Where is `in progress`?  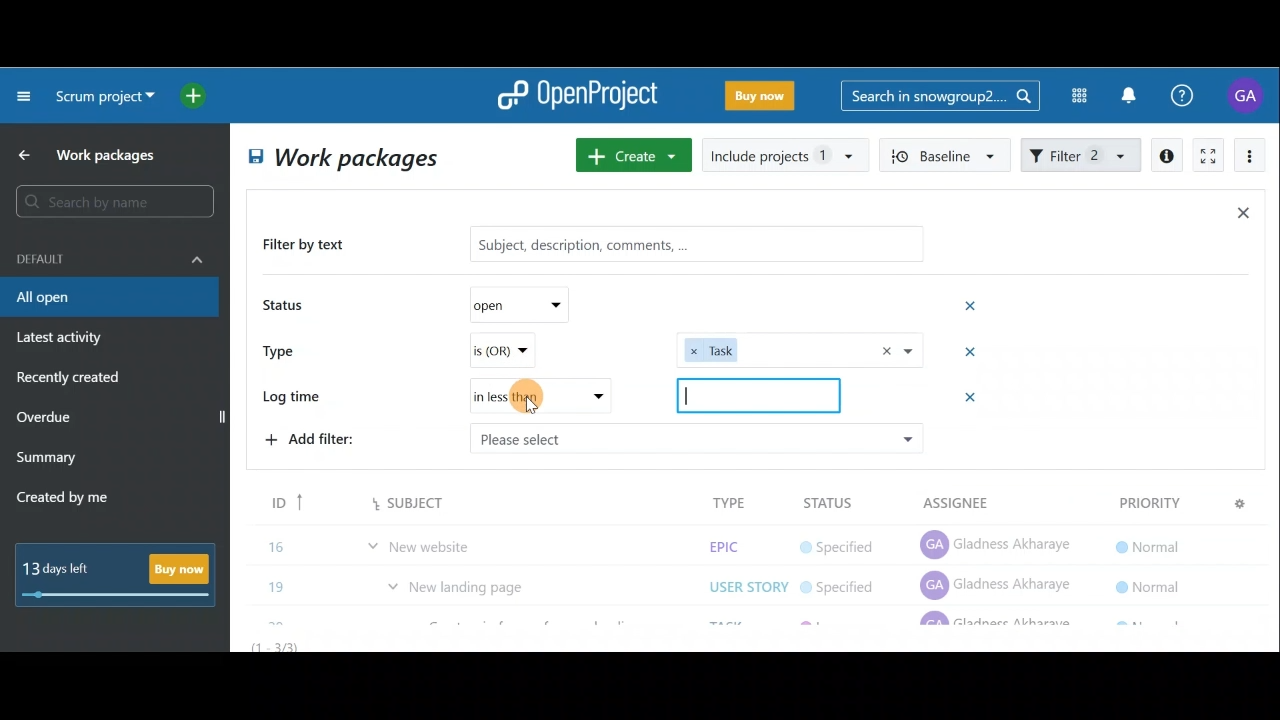
in progress is located at coordinates (844, 585).